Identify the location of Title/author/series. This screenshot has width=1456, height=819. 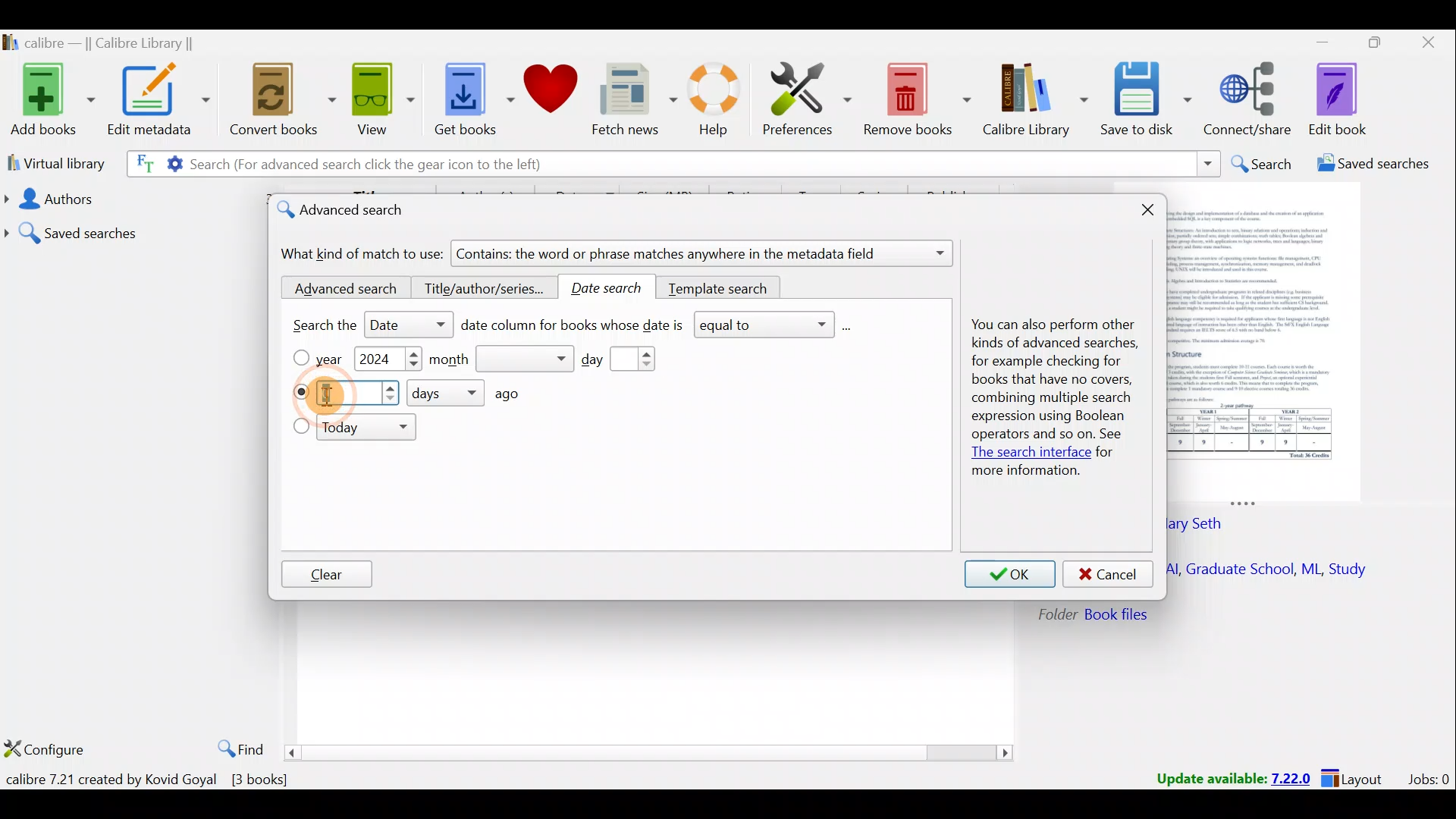
(485, 290).